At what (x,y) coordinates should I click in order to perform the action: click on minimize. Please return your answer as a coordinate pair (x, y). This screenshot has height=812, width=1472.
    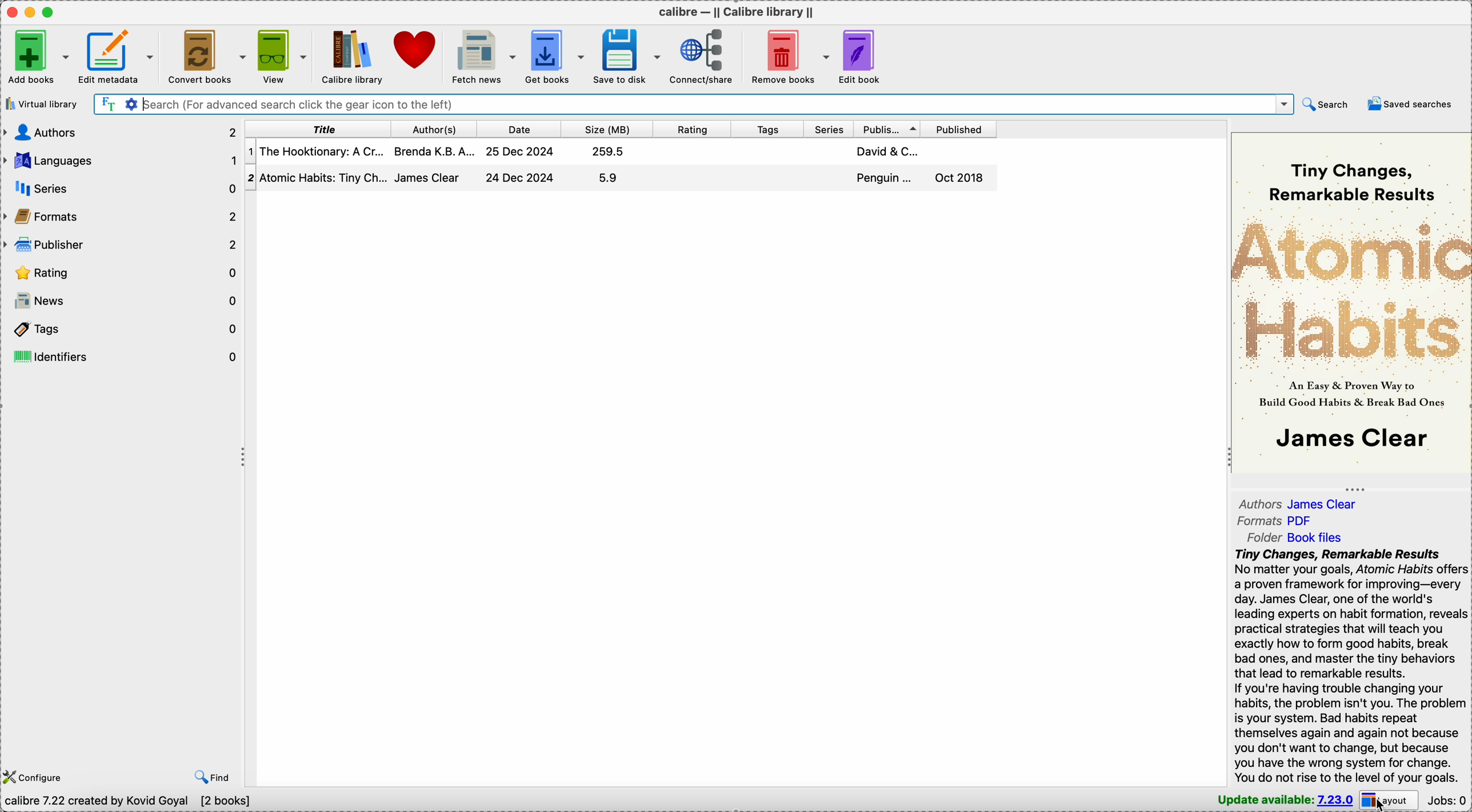
    Looking at the image, I should click on (33, 12).